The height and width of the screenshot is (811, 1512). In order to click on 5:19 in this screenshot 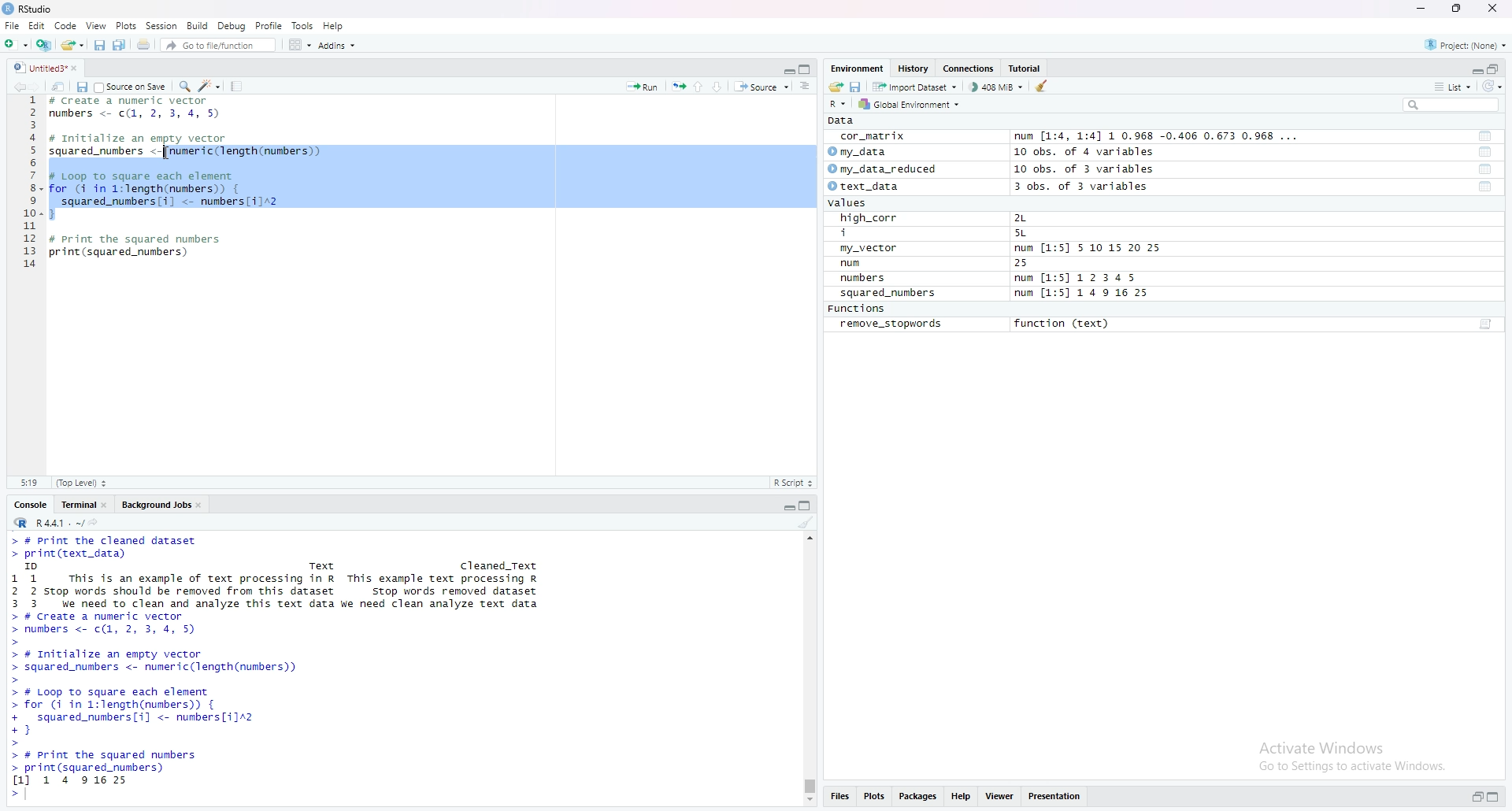, I will do `click(28, 482)`.